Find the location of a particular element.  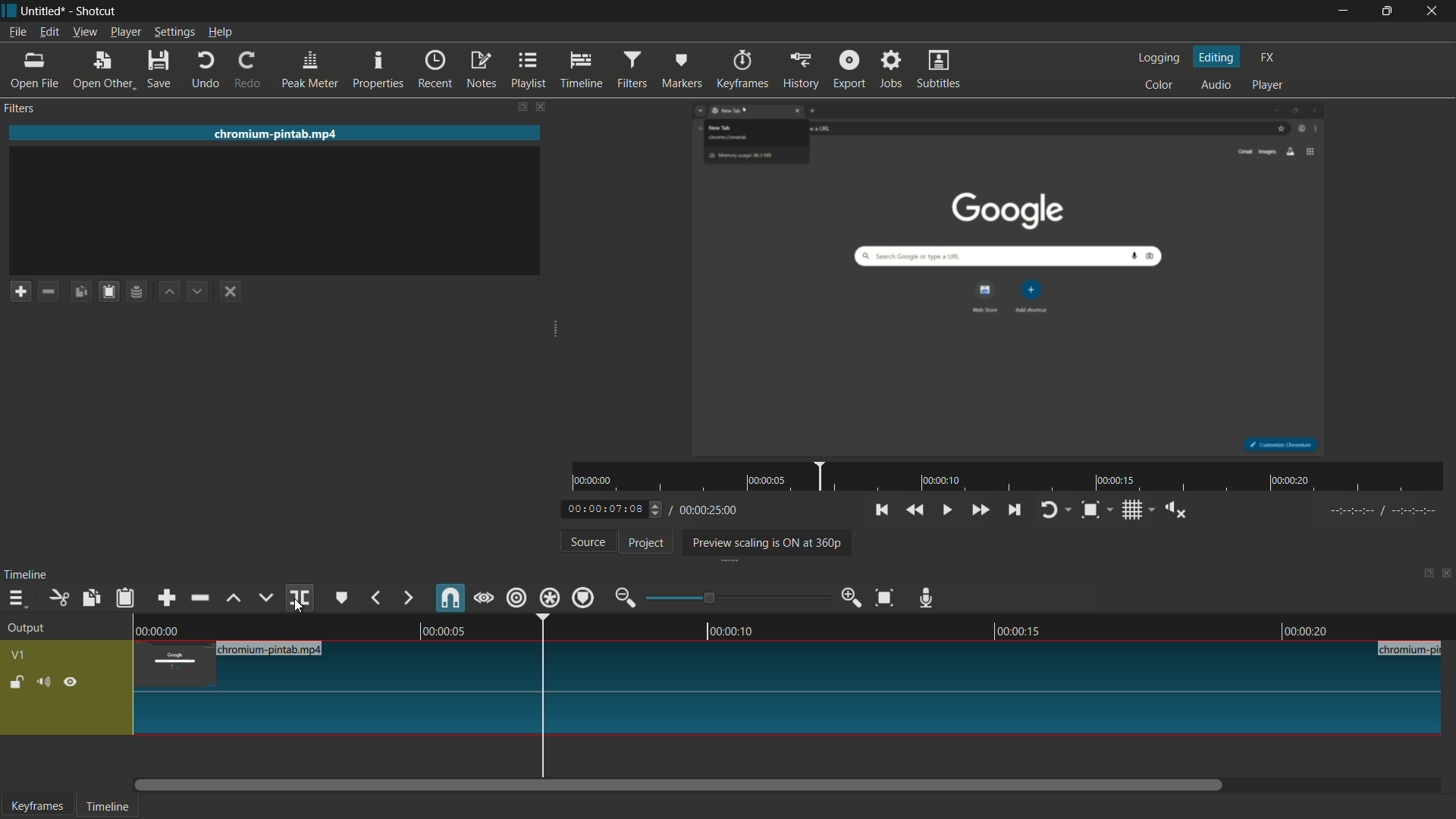

quickly play backward is located at coordinates (914, 509).